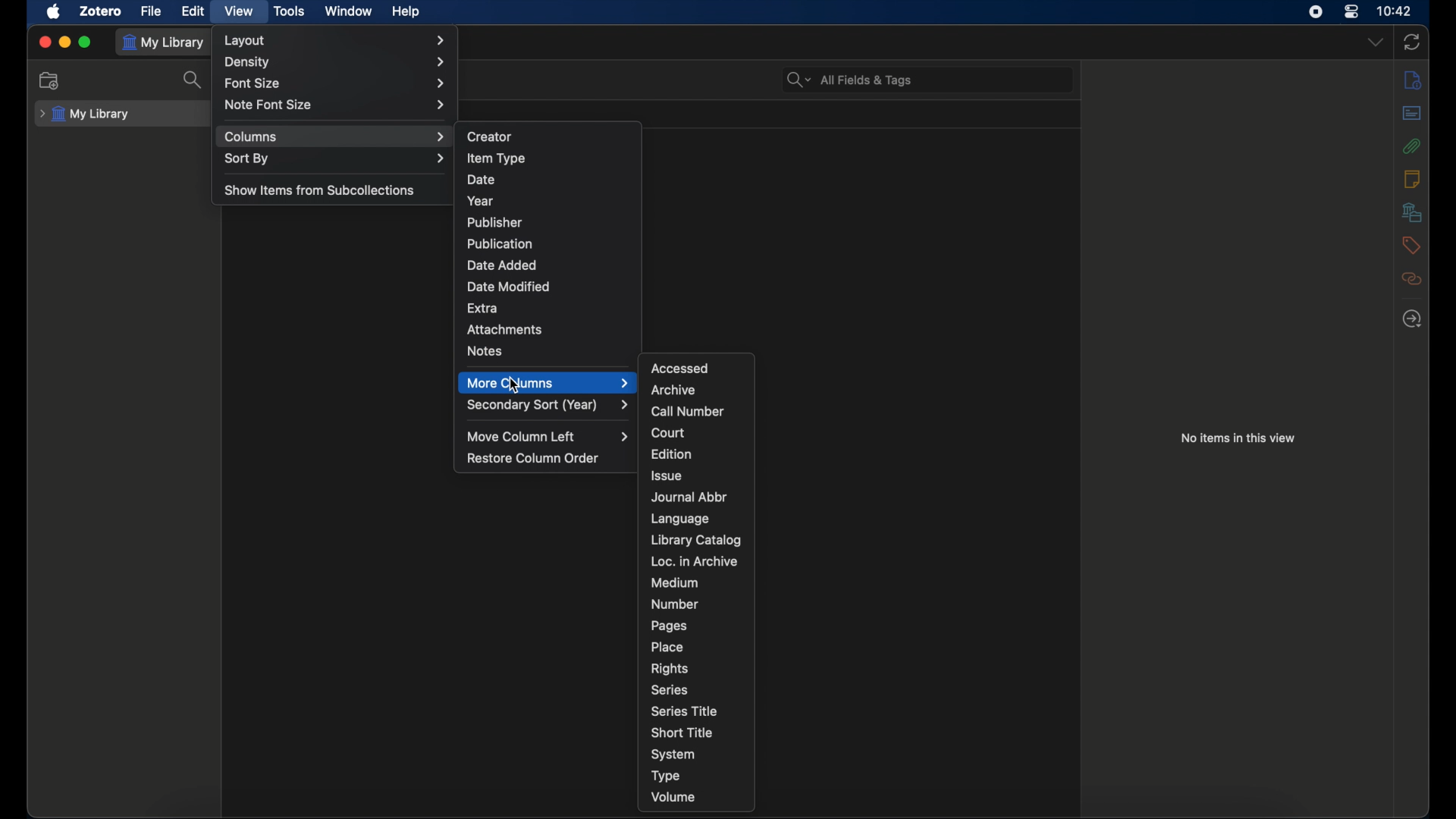 The image size is (1456, 819). I want to click on series, so click(670, 690).